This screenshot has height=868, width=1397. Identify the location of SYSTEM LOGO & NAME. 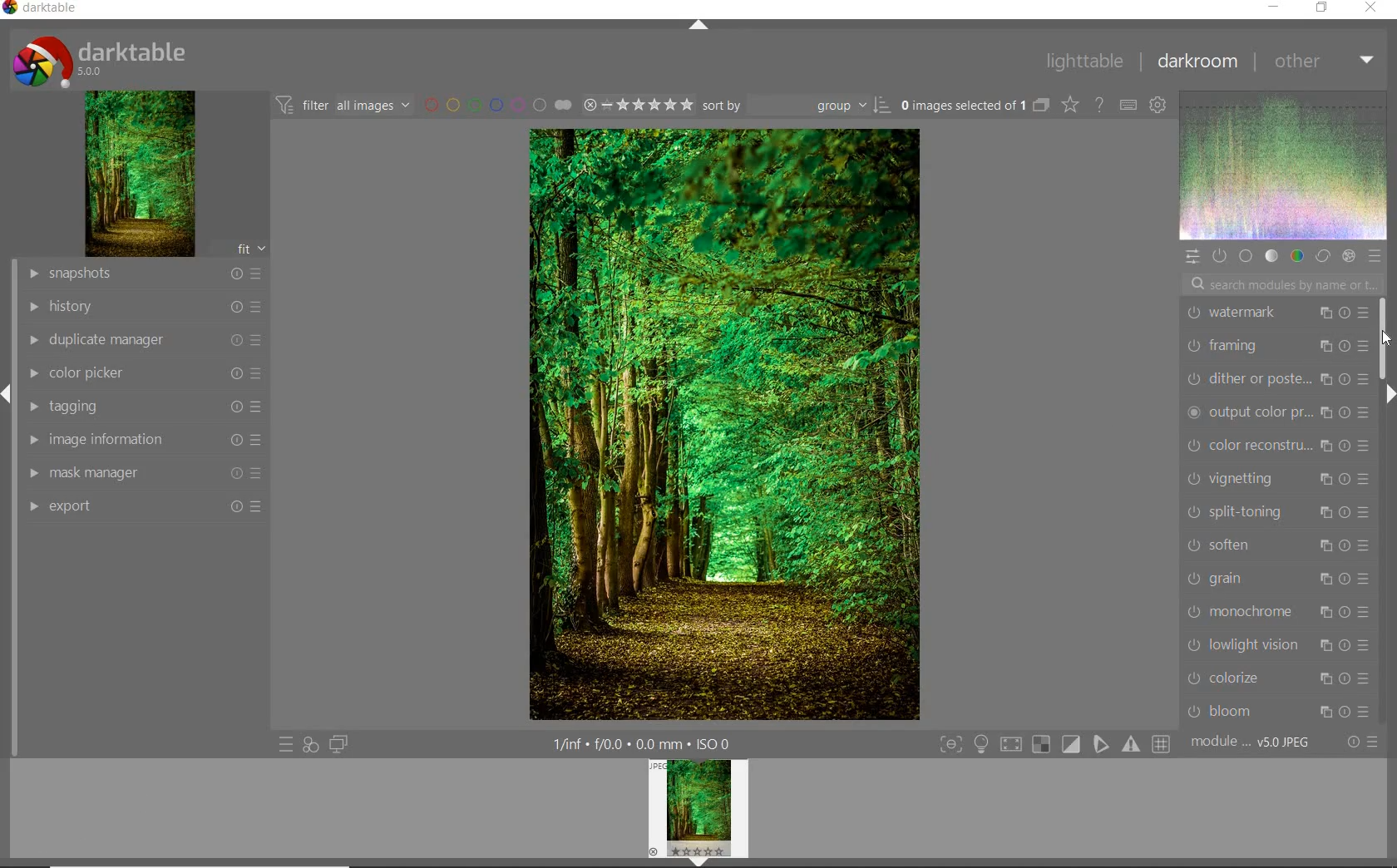
(101, 59).